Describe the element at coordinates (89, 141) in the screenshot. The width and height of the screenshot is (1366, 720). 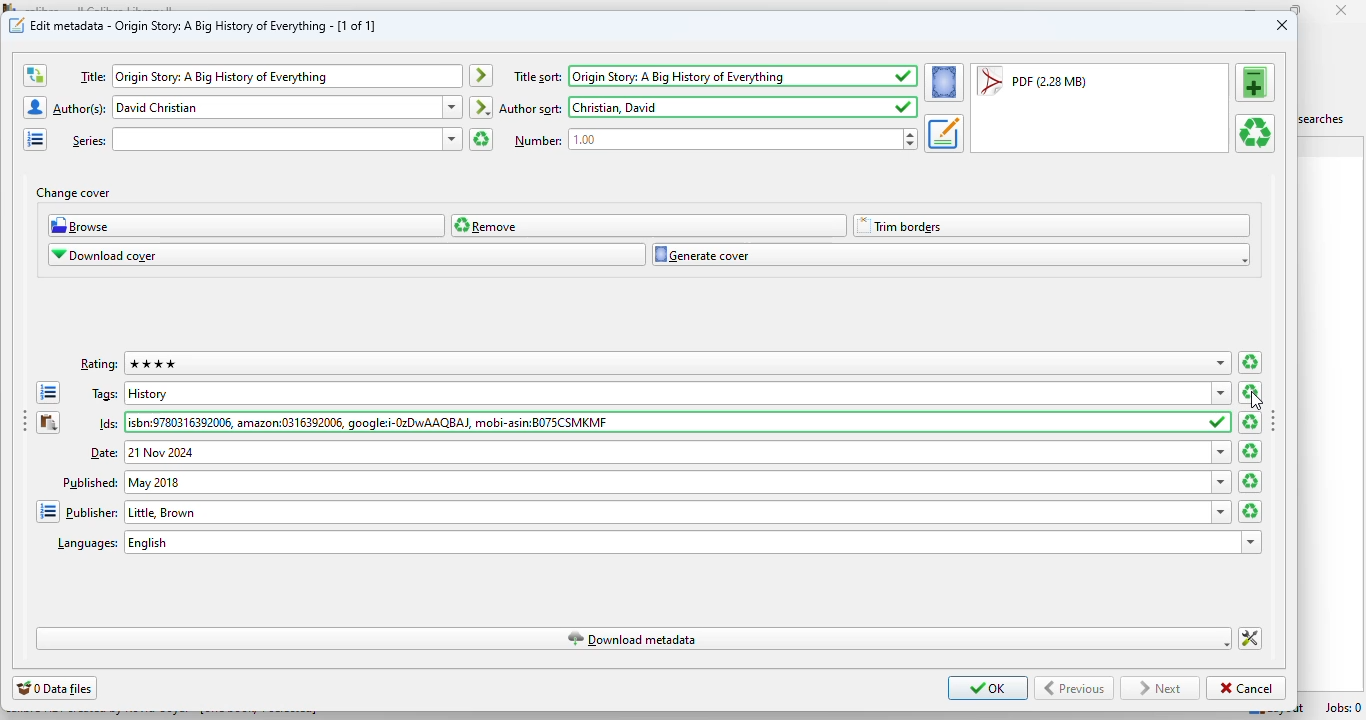
I see `text` at that location.